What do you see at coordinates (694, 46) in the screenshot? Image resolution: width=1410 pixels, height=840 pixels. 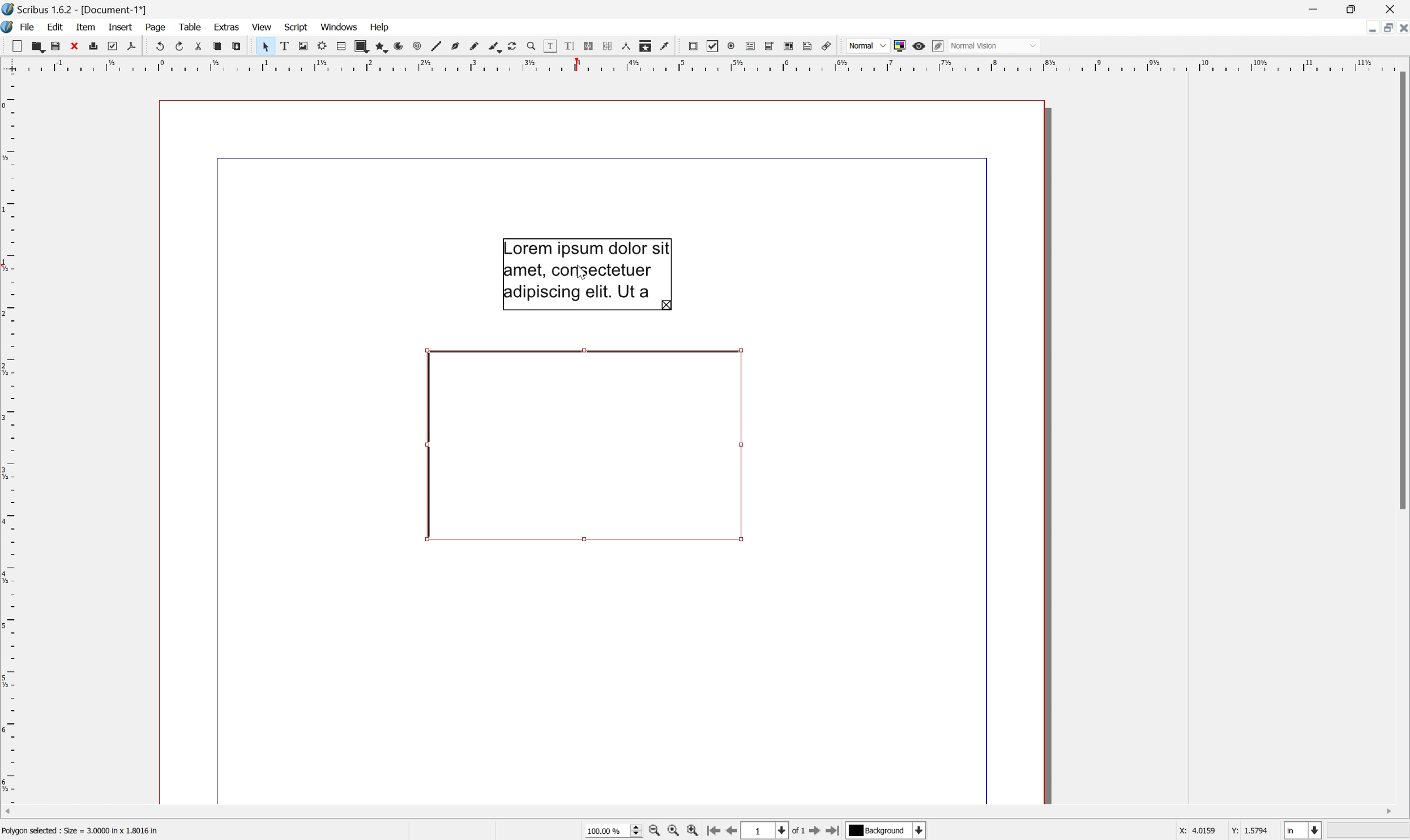 I see `PDF push button` at bounding box center [694, 46].